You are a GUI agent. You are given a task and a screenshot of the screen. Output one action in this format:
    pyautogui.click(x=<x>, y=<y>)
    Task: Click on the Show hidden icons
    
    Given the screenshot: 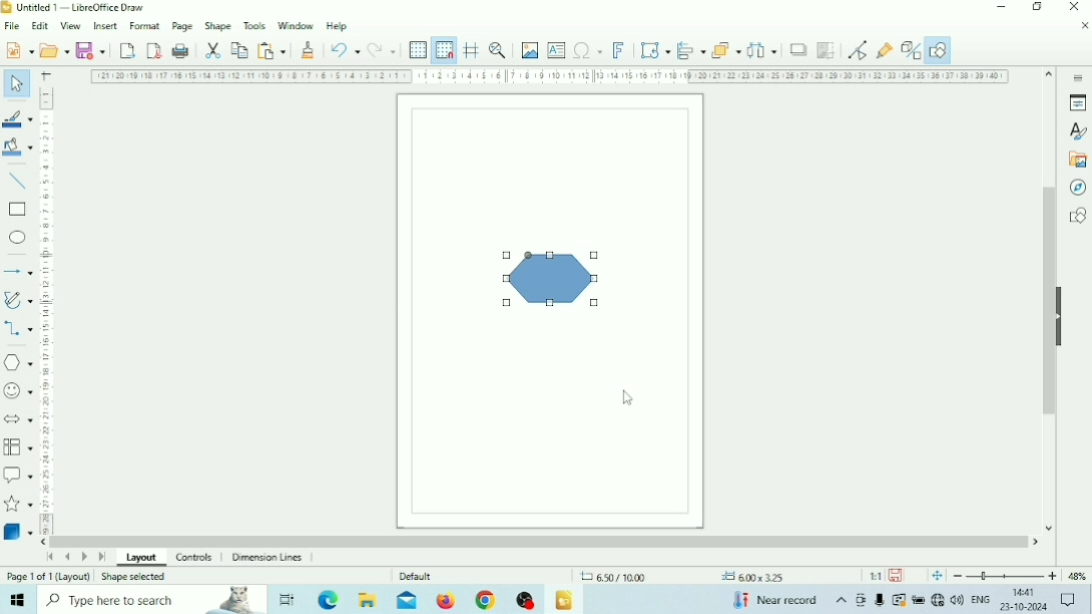 What is the action you would take?
    pyautogui.click(x=841, y=601)
    